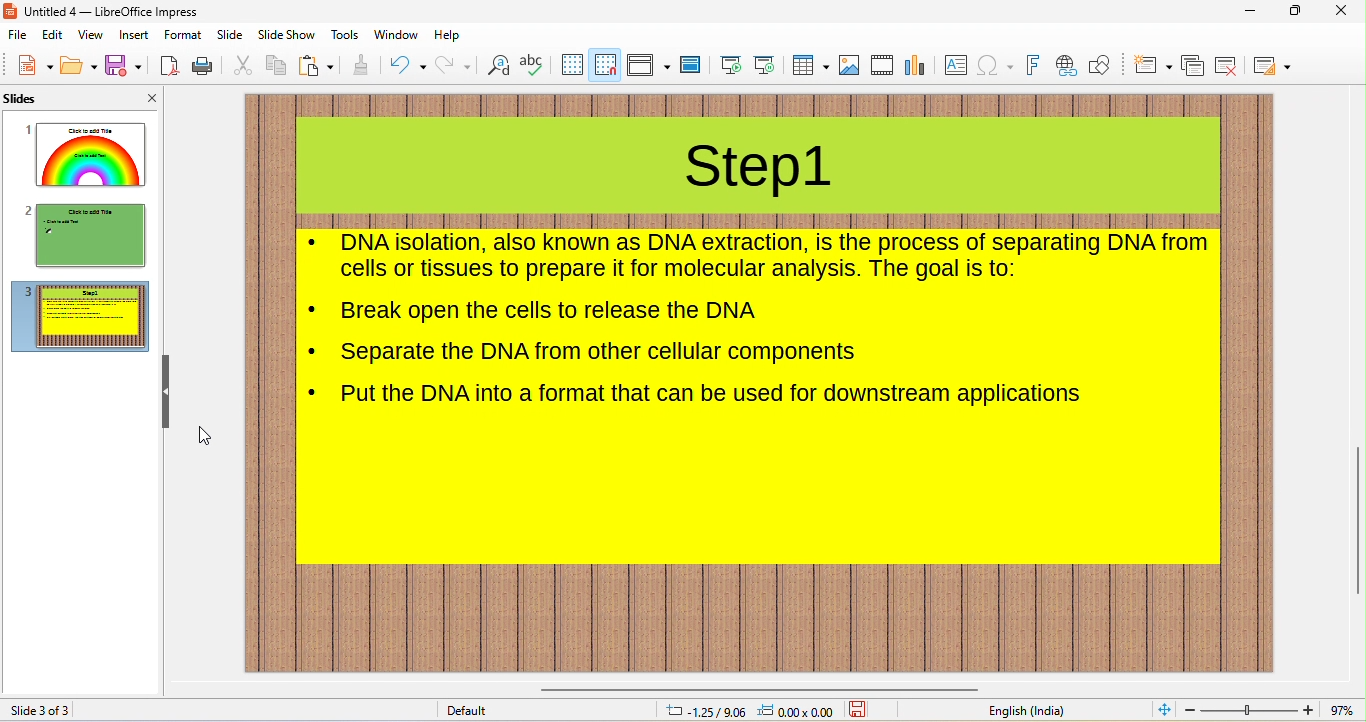 This screenshot has height=722, width=1366. Describe the element at coordinates (849, 65) in the screenshot. I see `image` at that location.